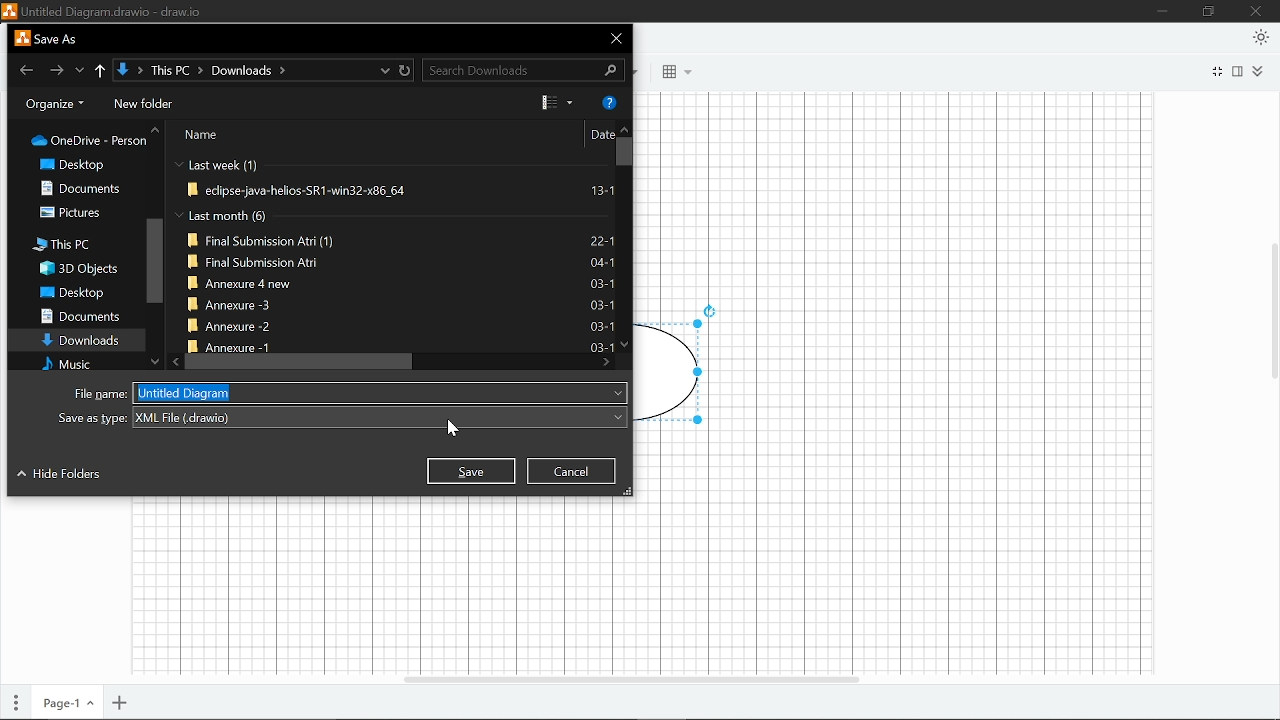 Image resolution: width=1280 pixels, height=720 pixels. I want to click on Sort by Name, so click(242, 135).